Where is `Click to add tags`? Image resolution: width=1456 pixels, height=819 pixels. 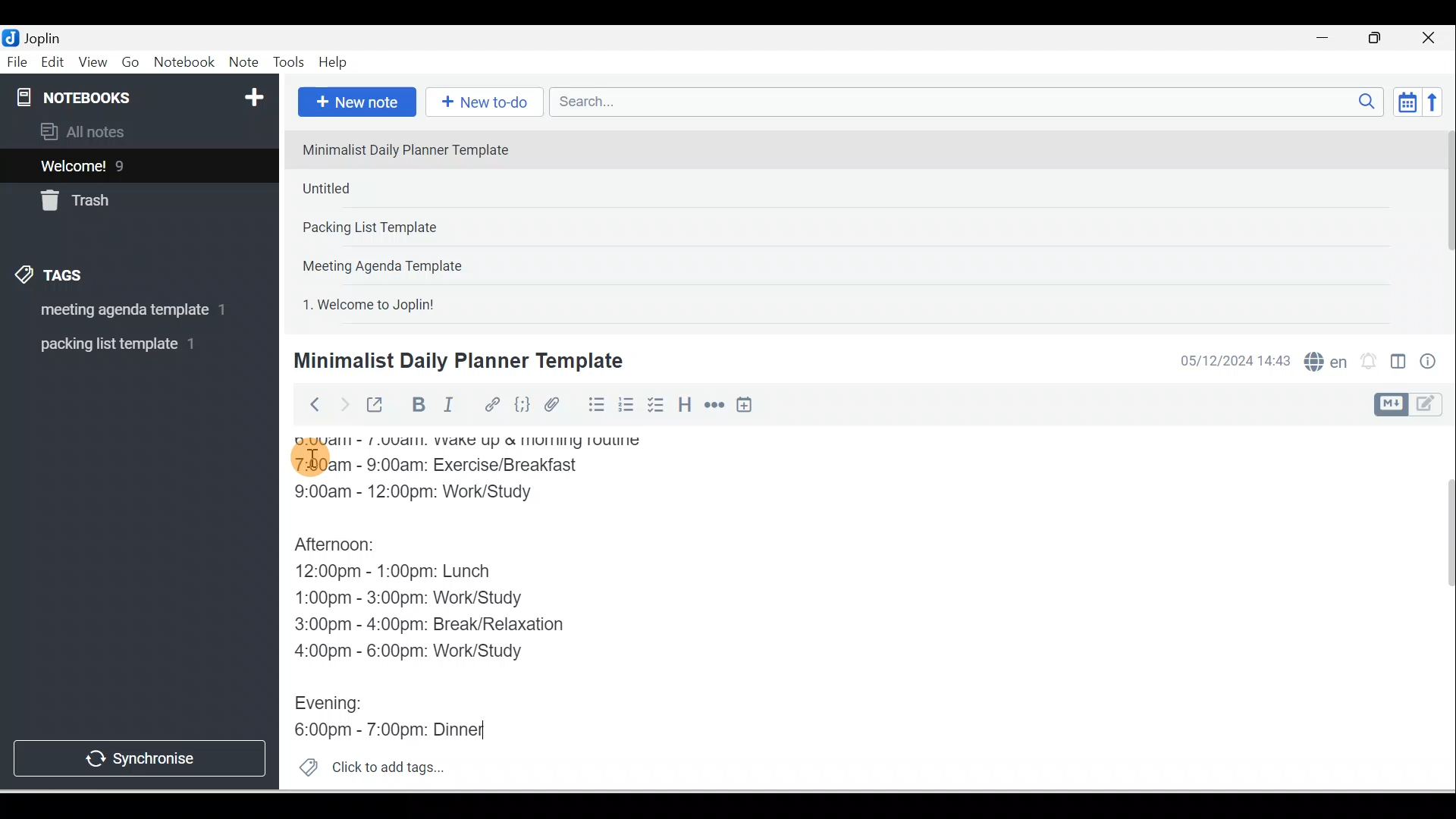 Click to add tags is located at coordinates (366, 765).